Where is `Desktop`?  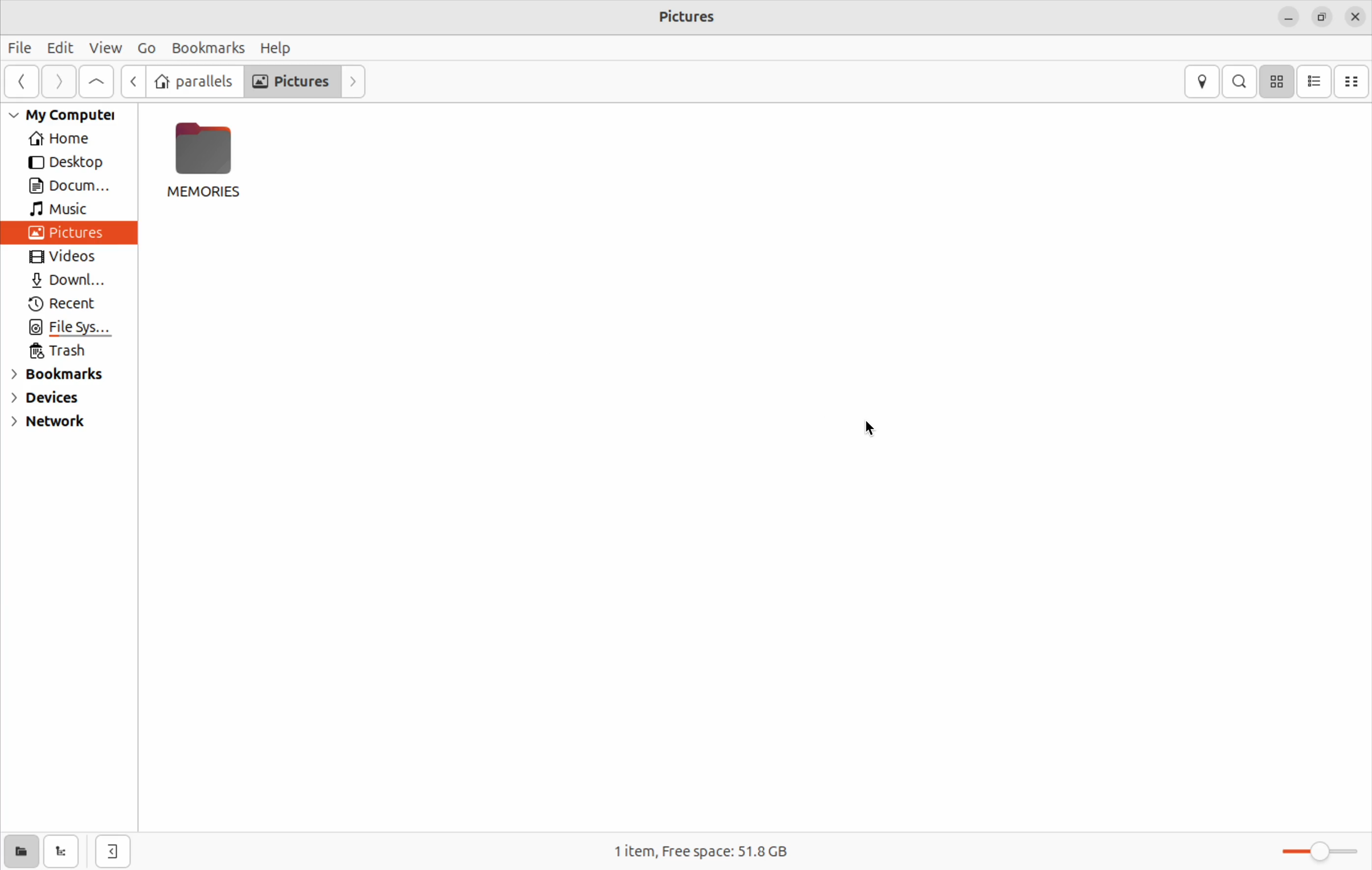 Desktop is located at coordinates (66, 161).